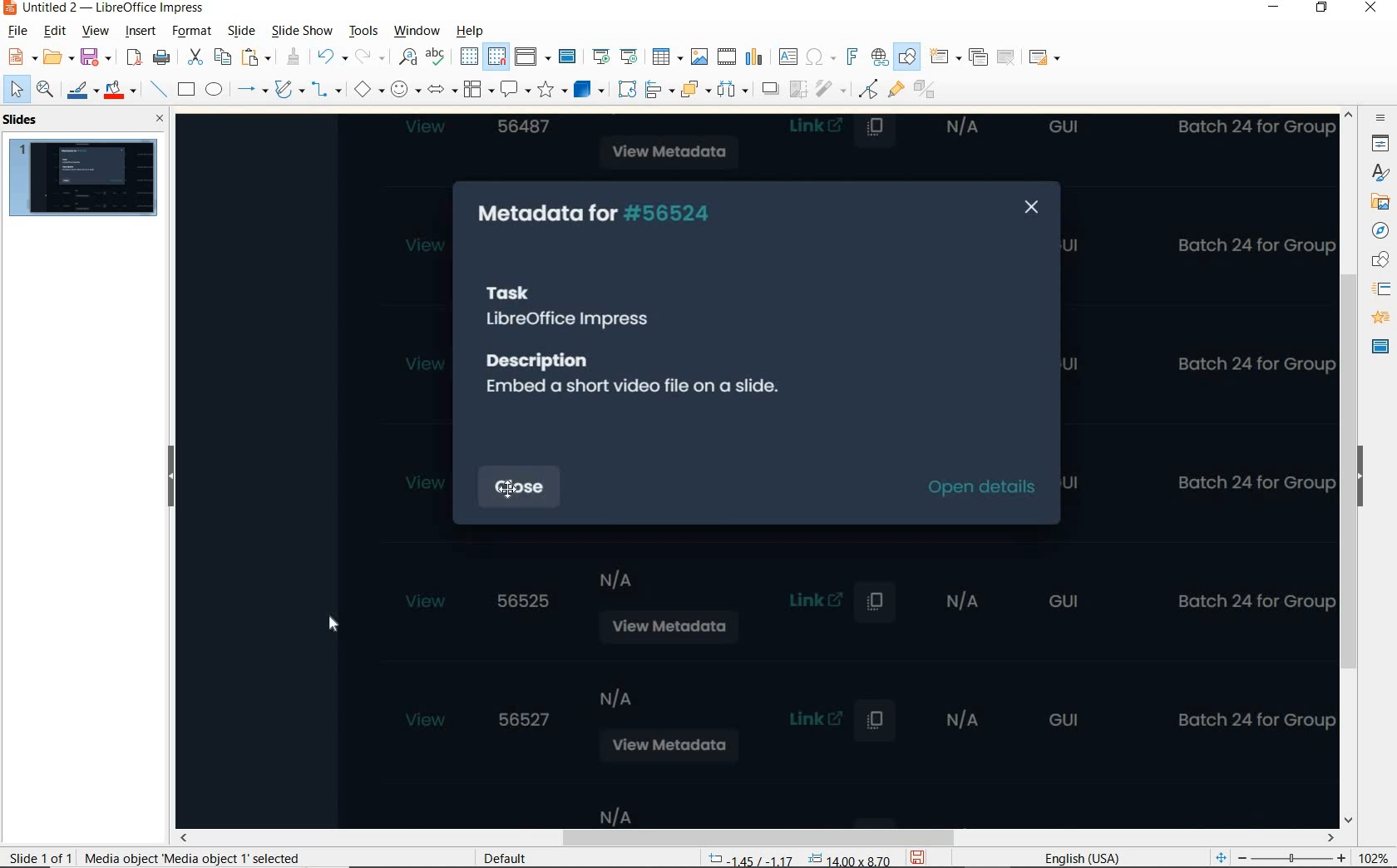 The image size is (1397, 868). I want to click on video added, so click(755, 466).